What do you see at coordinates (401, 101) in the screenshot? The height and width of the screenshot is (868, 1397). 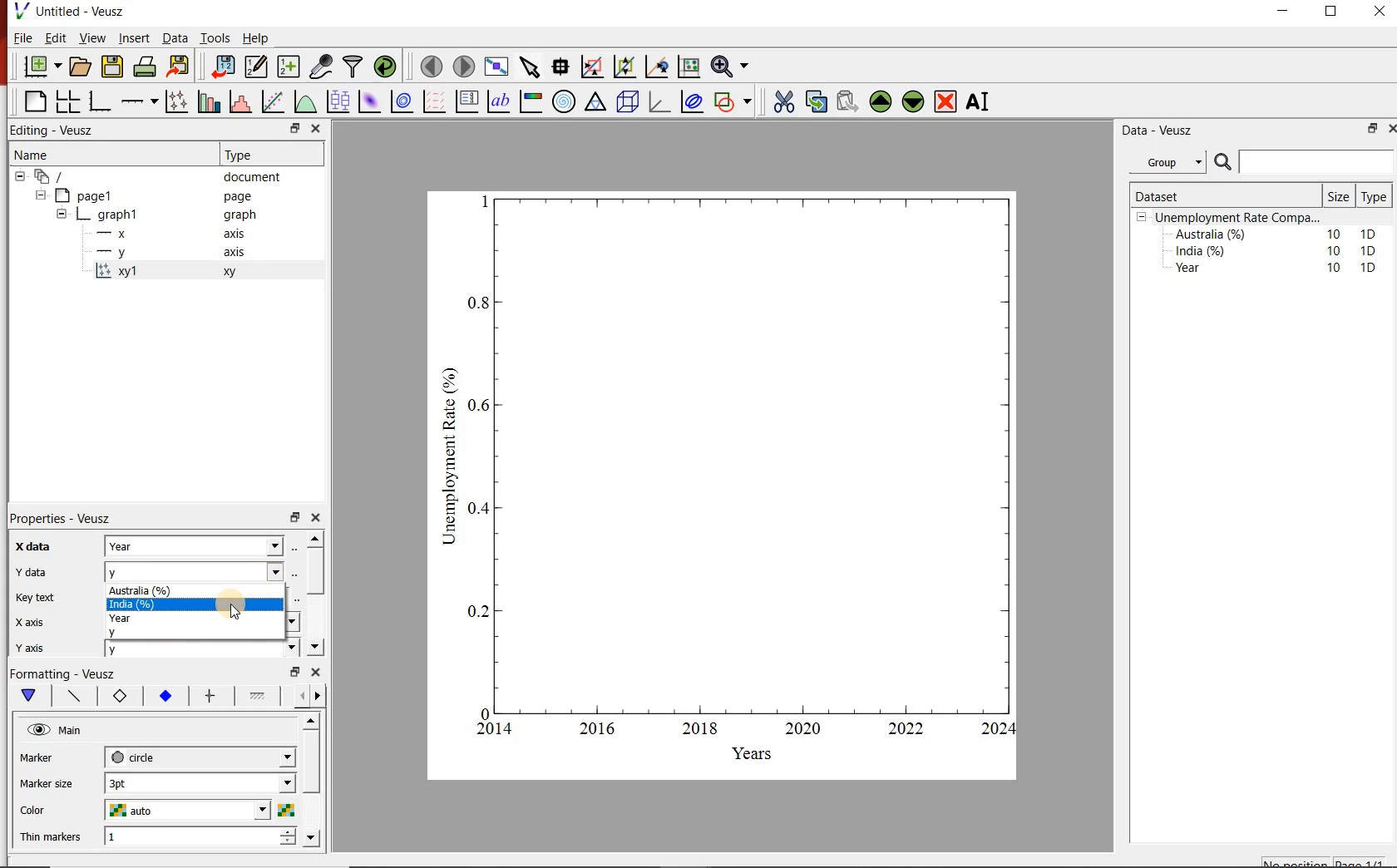 I see `plot 2d datasets as contours` at bounding box center [401, 101].